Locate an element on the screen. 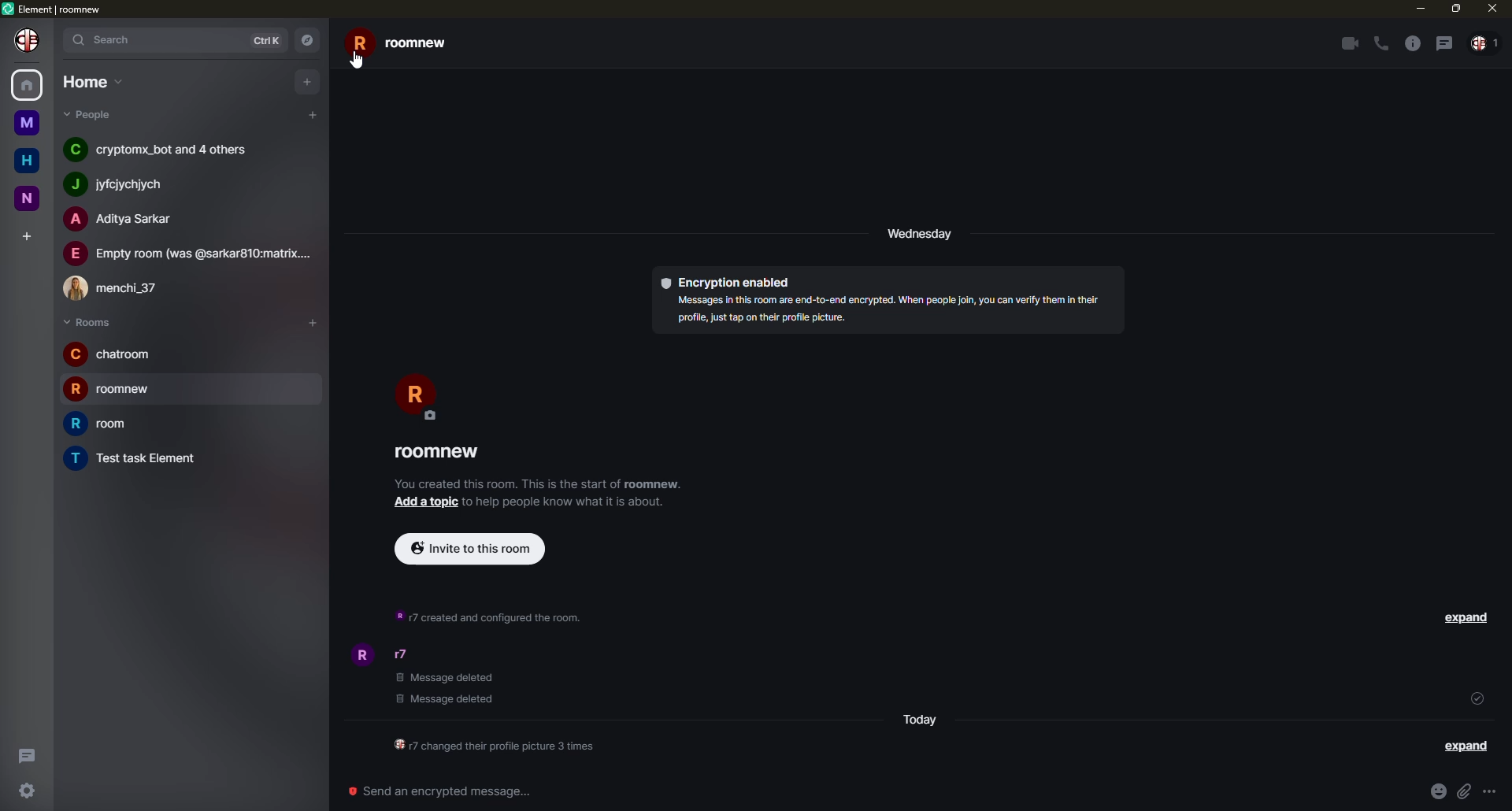 The height and width of the screenshot is (811, 1512). profile is located at coordinates (28, 40).